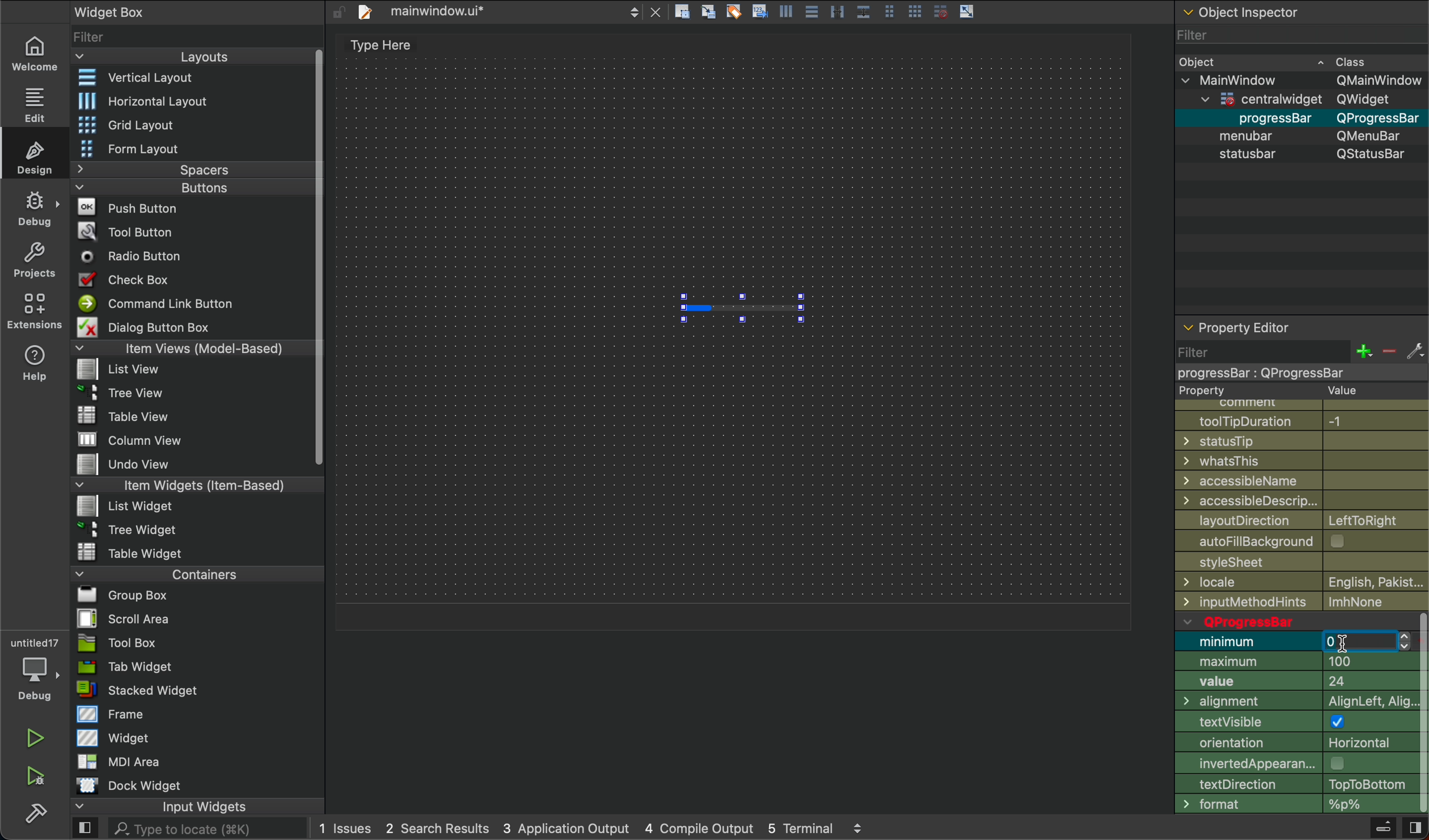  Describe the element at coordinates (132, 206) in the screenshot. I see `Push Button` at that location.